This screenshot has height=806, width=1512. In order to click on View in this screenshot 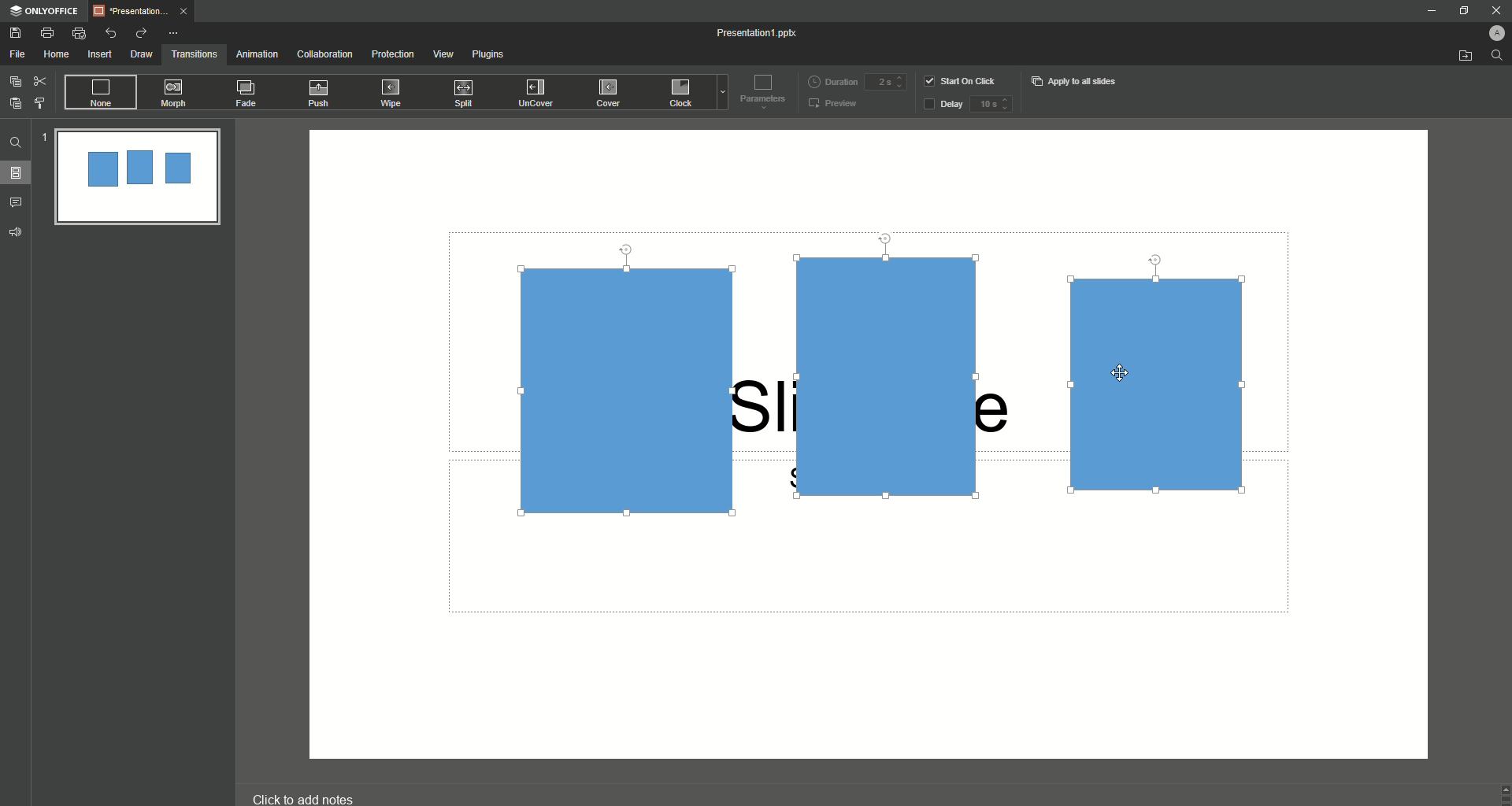, I will do `click(443, 54)`.